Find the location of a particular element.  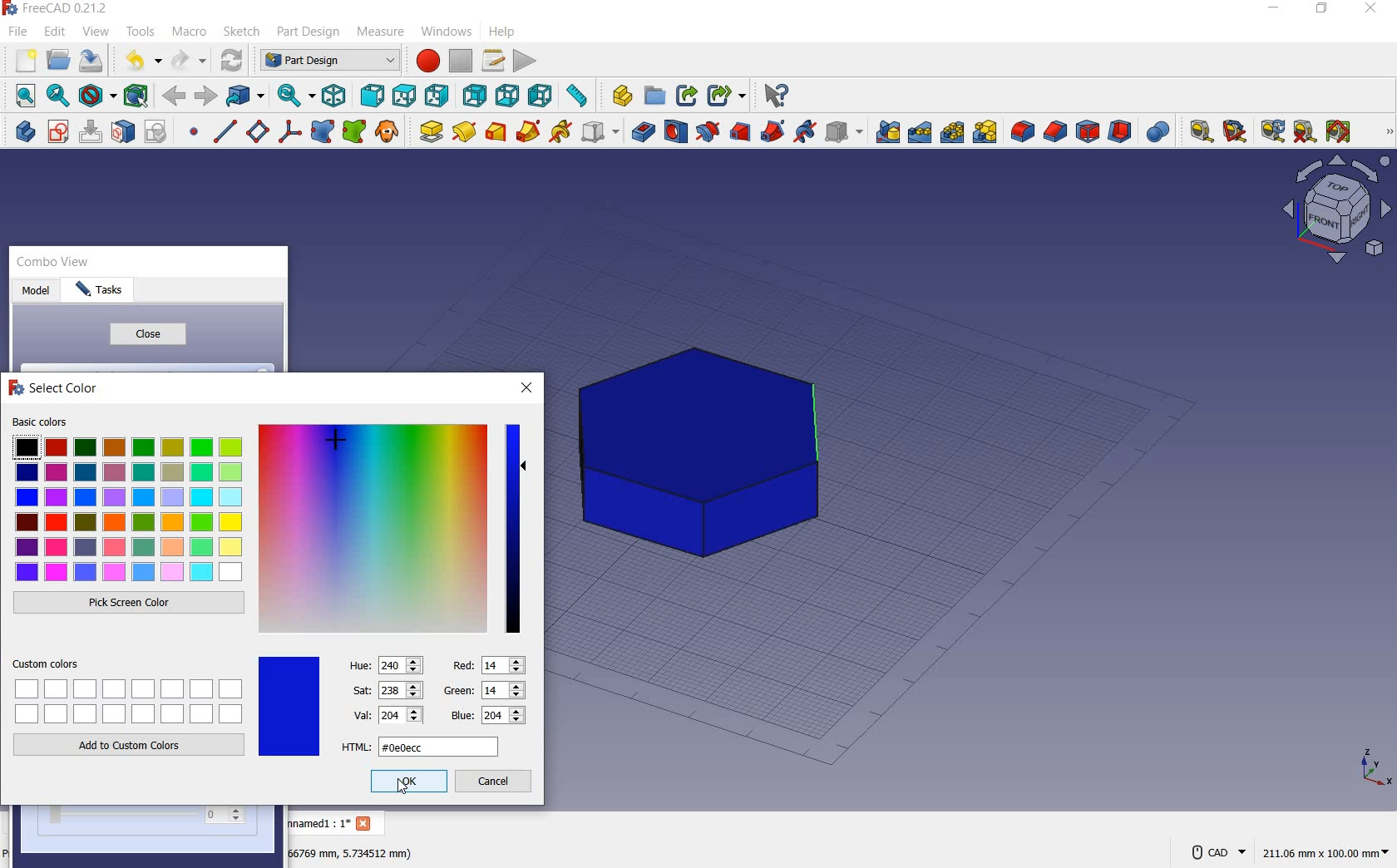

x,y,z points is located at coordinates (1374, 773).